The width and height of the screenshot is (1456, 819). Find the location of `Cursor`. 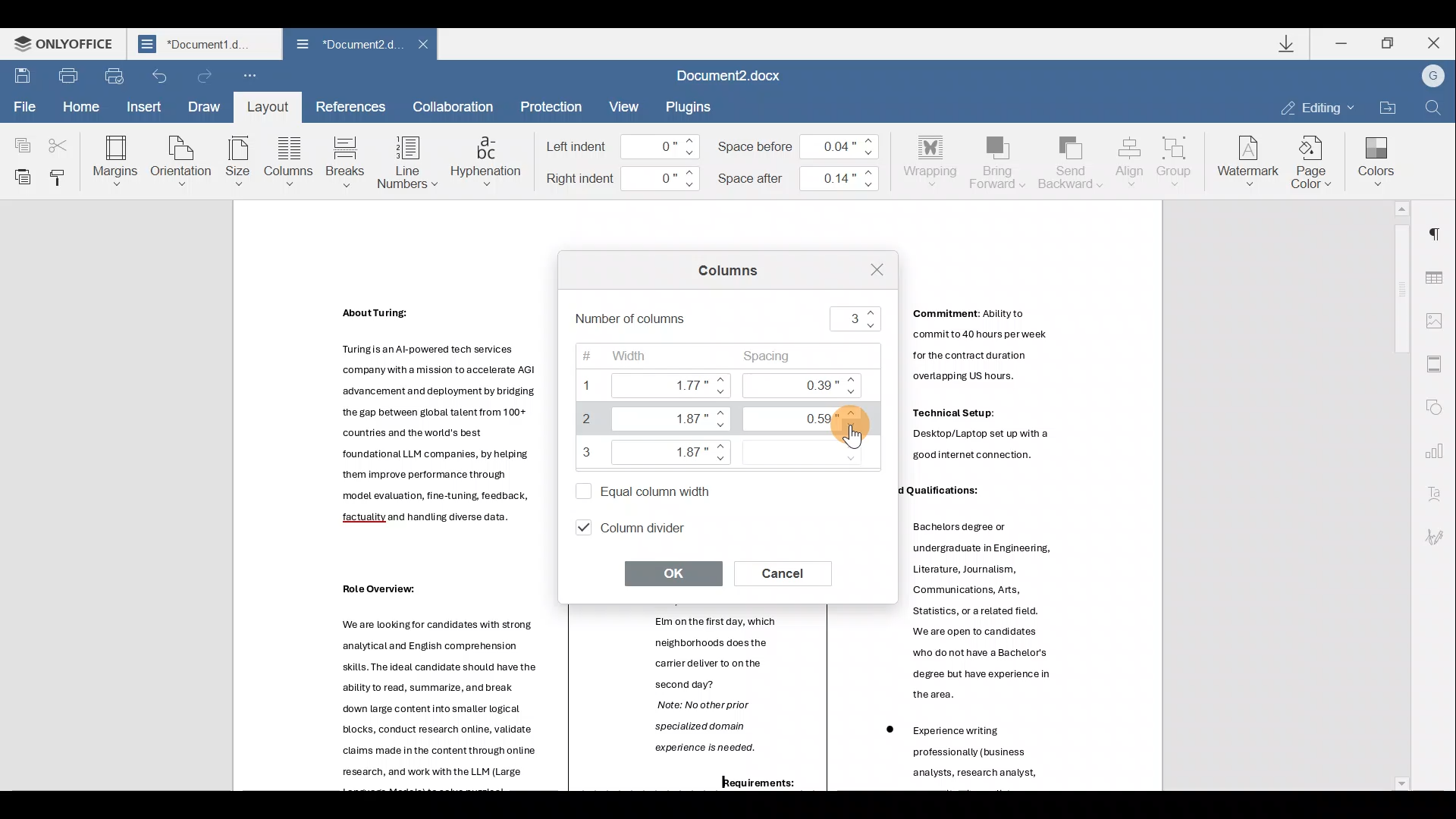

Cursor is located at coordinates (849, 435).